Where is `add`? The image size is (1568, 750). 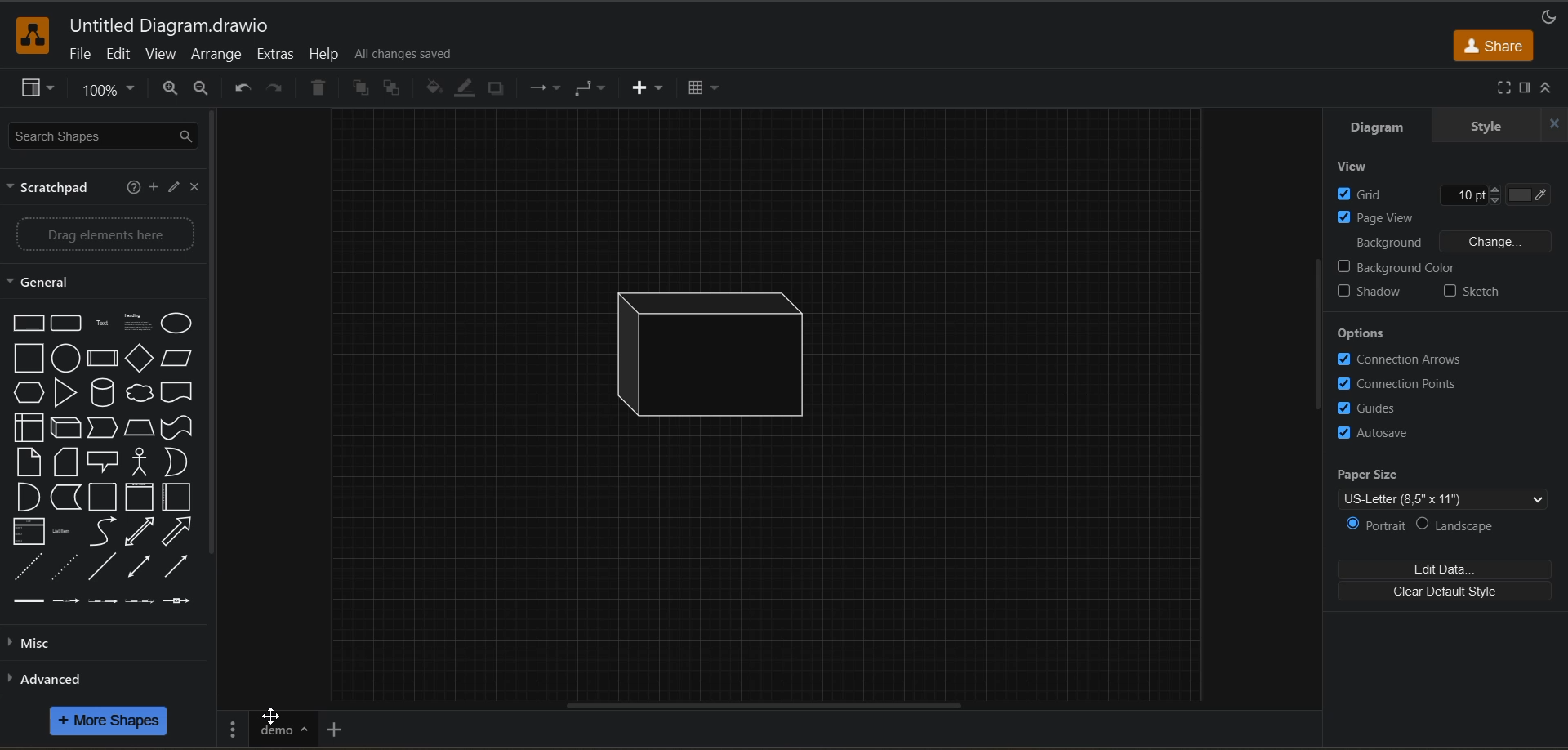 add is located at coordinates (151, 188).